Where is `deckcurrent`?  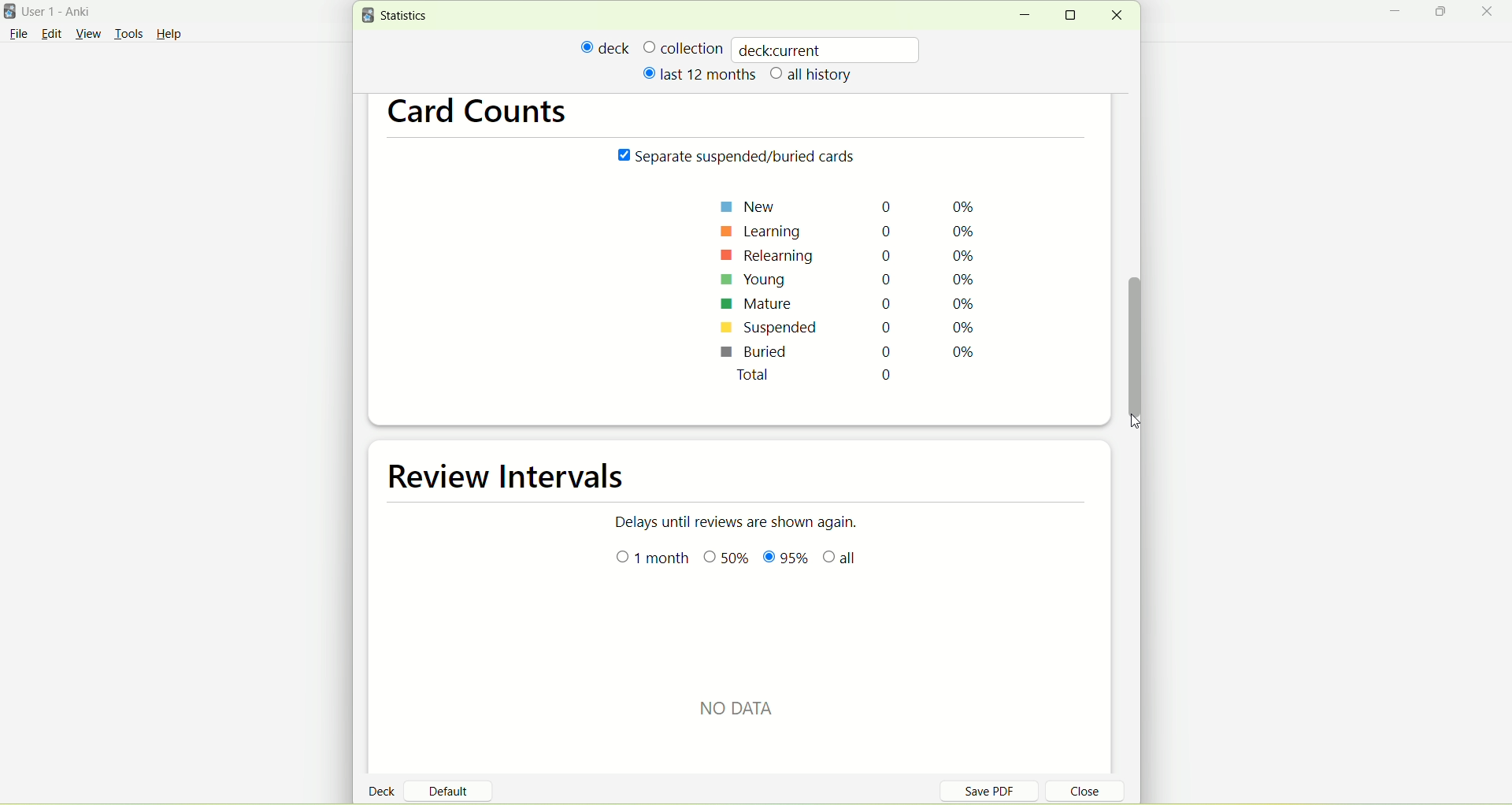
deckcurrent is located at coordinates (828, 49).